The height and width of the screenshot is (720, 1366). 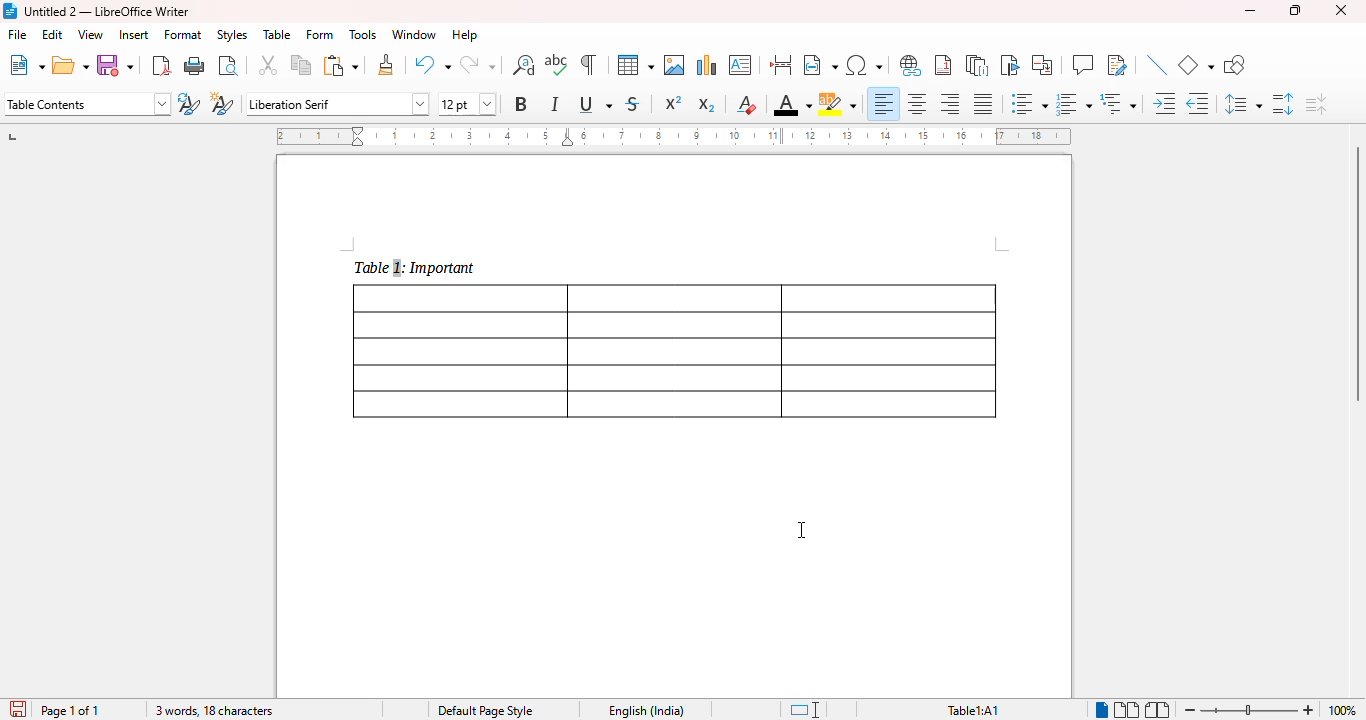 I want to click on insert text box, so click(x=740, y=65).